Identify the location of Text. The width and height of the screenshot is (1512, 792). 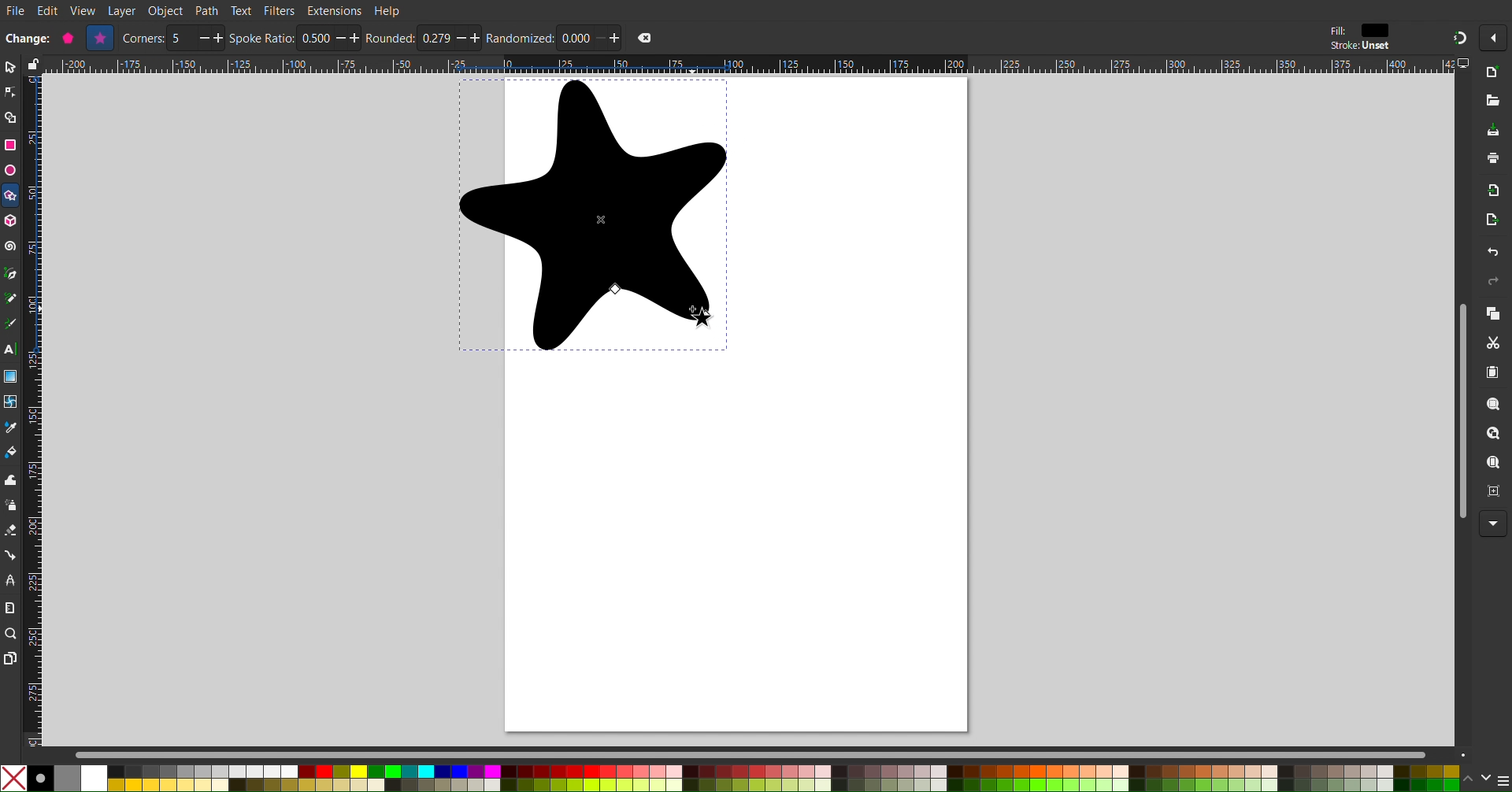
(240, 9).